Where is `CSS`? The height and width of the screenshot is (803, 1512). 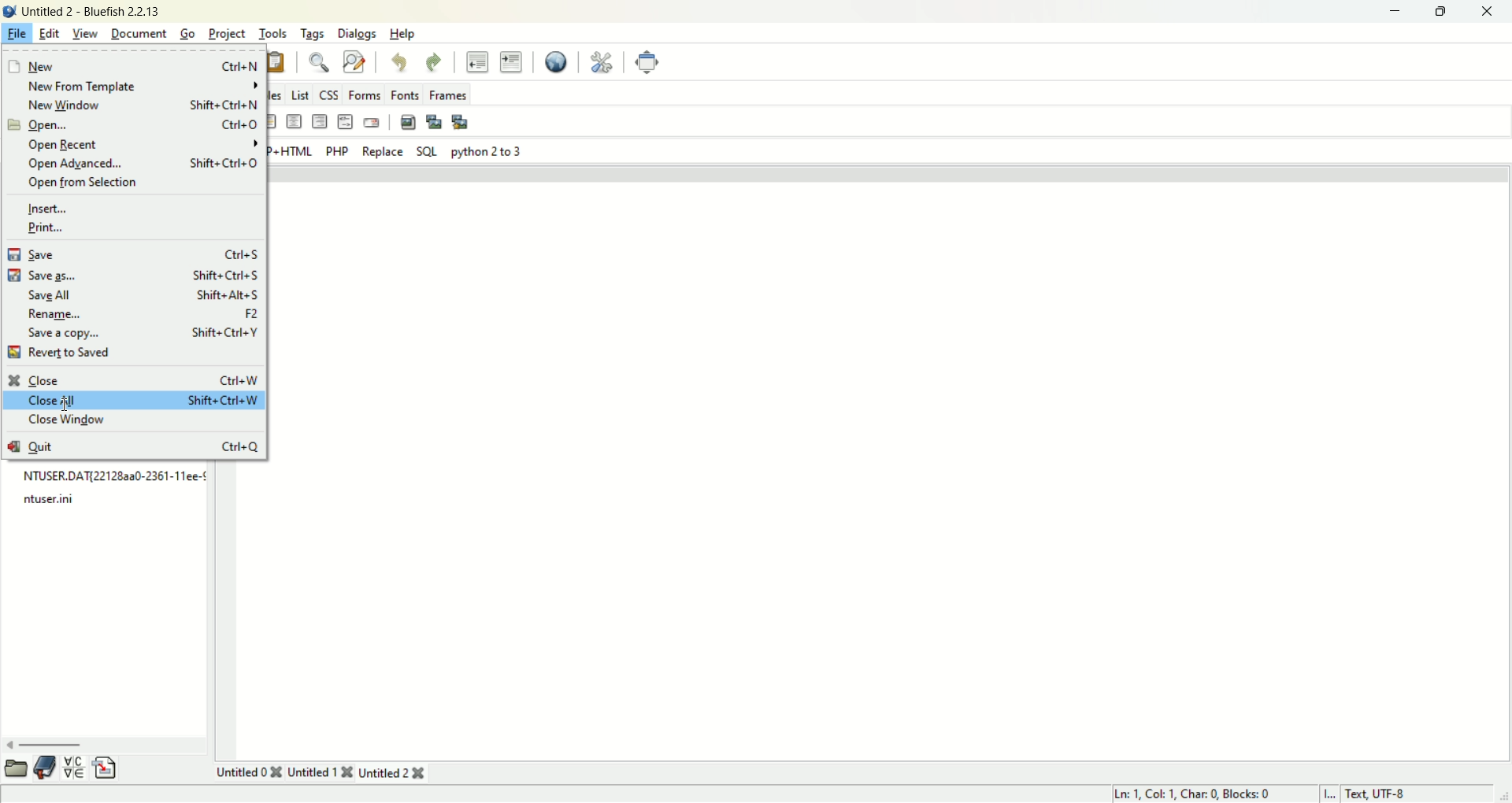
CSS is located at coordinates (329, 93).